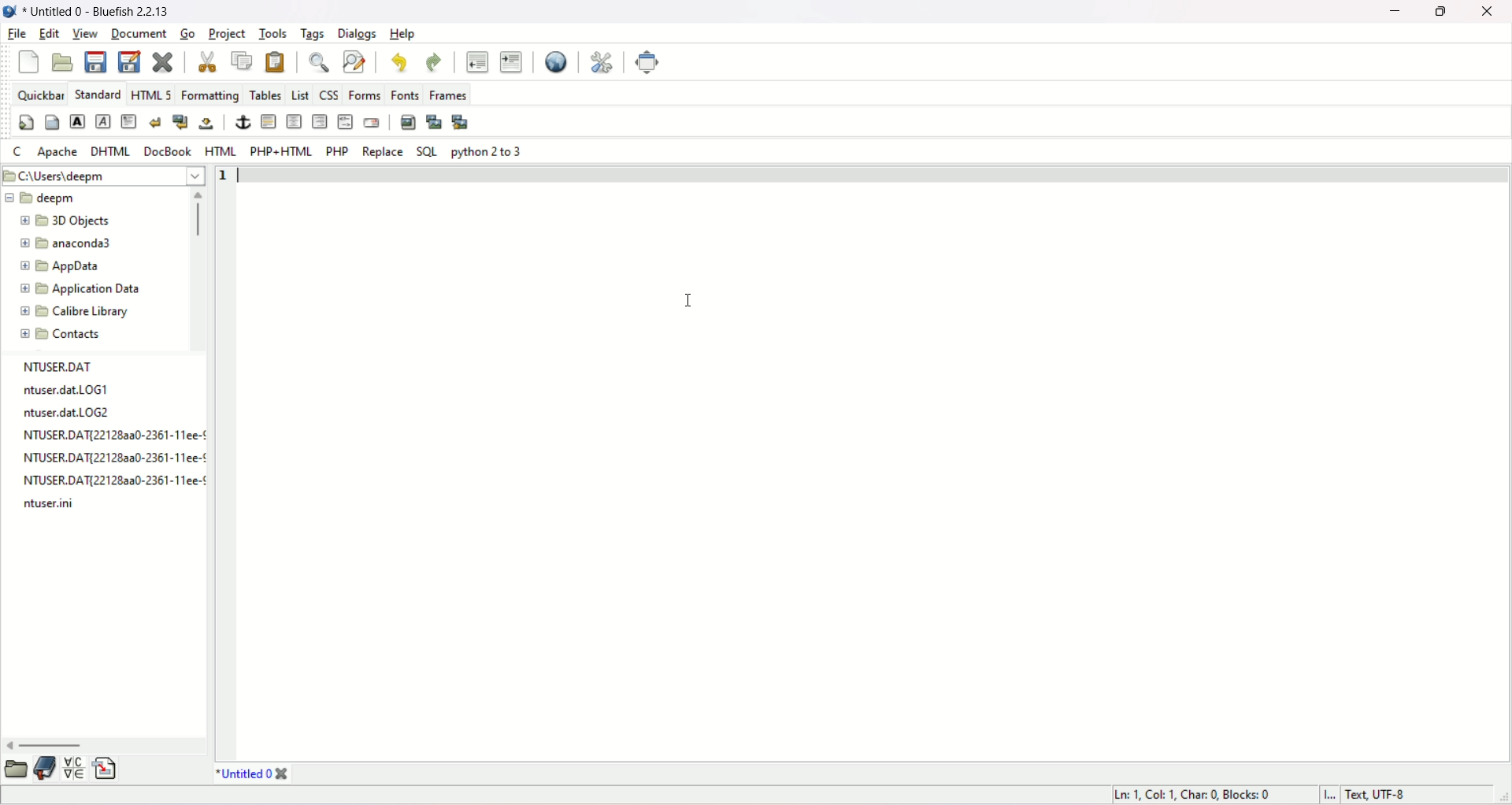 The width and height of the screenshot is (1512, 805). Describe the element at coordinates (102, 121) in the screenshot. I see `emphasis` at that location.